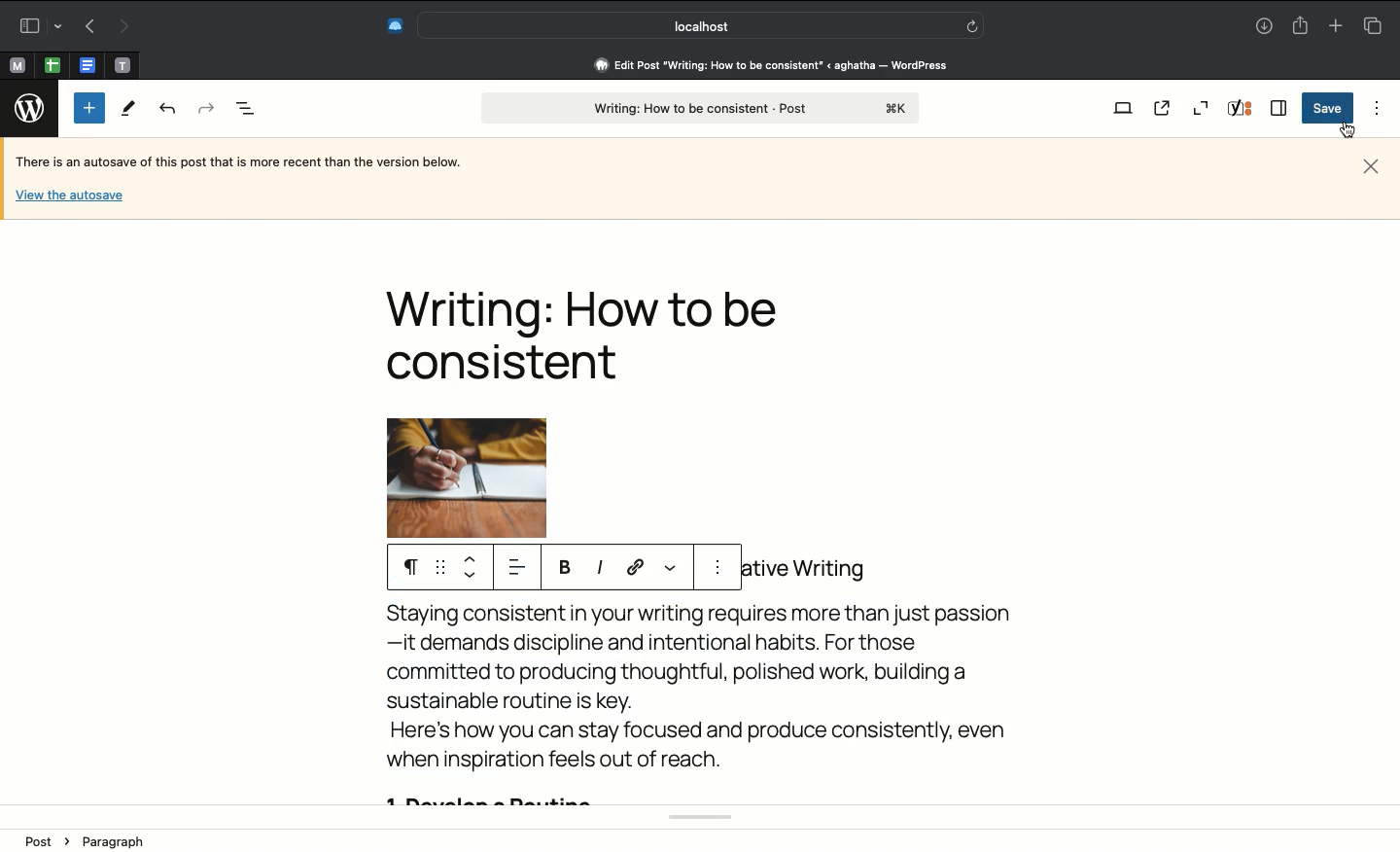 This screenshot has height=852, width=1400. Describe the element at coordinates (692, 705) in the screenshot. I see `body` at that location.